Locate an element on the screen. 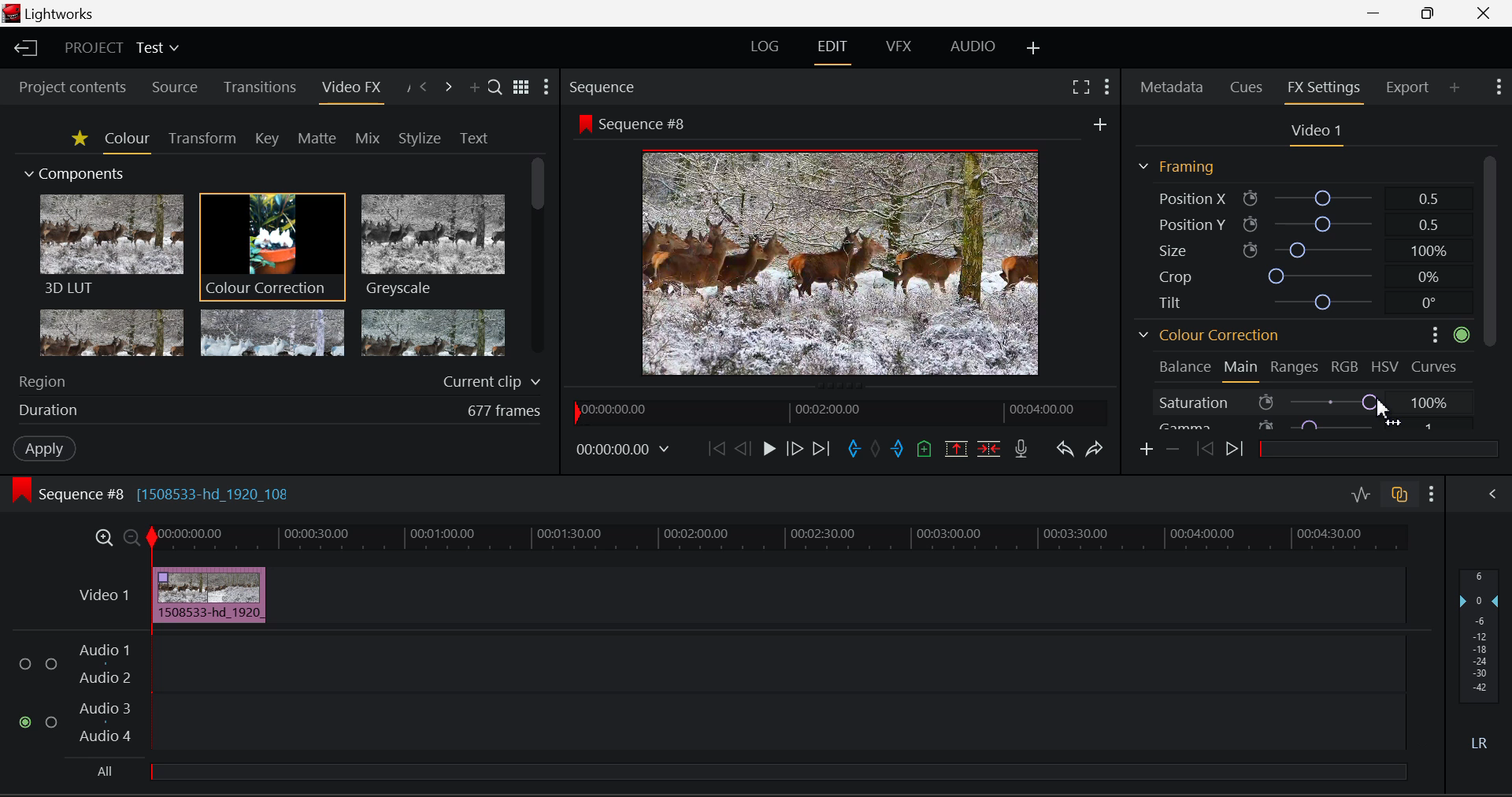  Crop is located at coordinates (1296, 275).